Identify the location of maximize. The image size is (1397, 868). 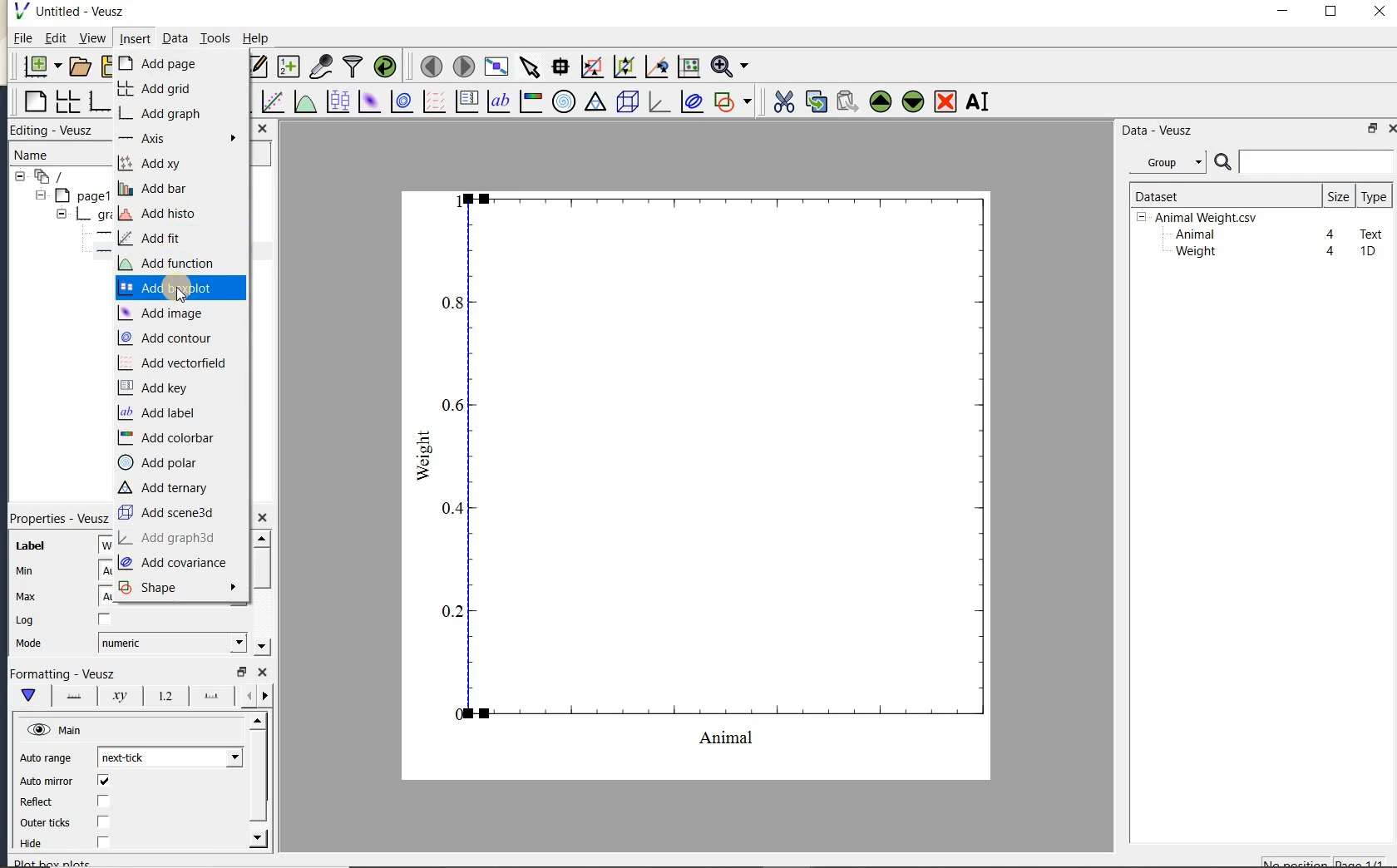
(1331, 12).